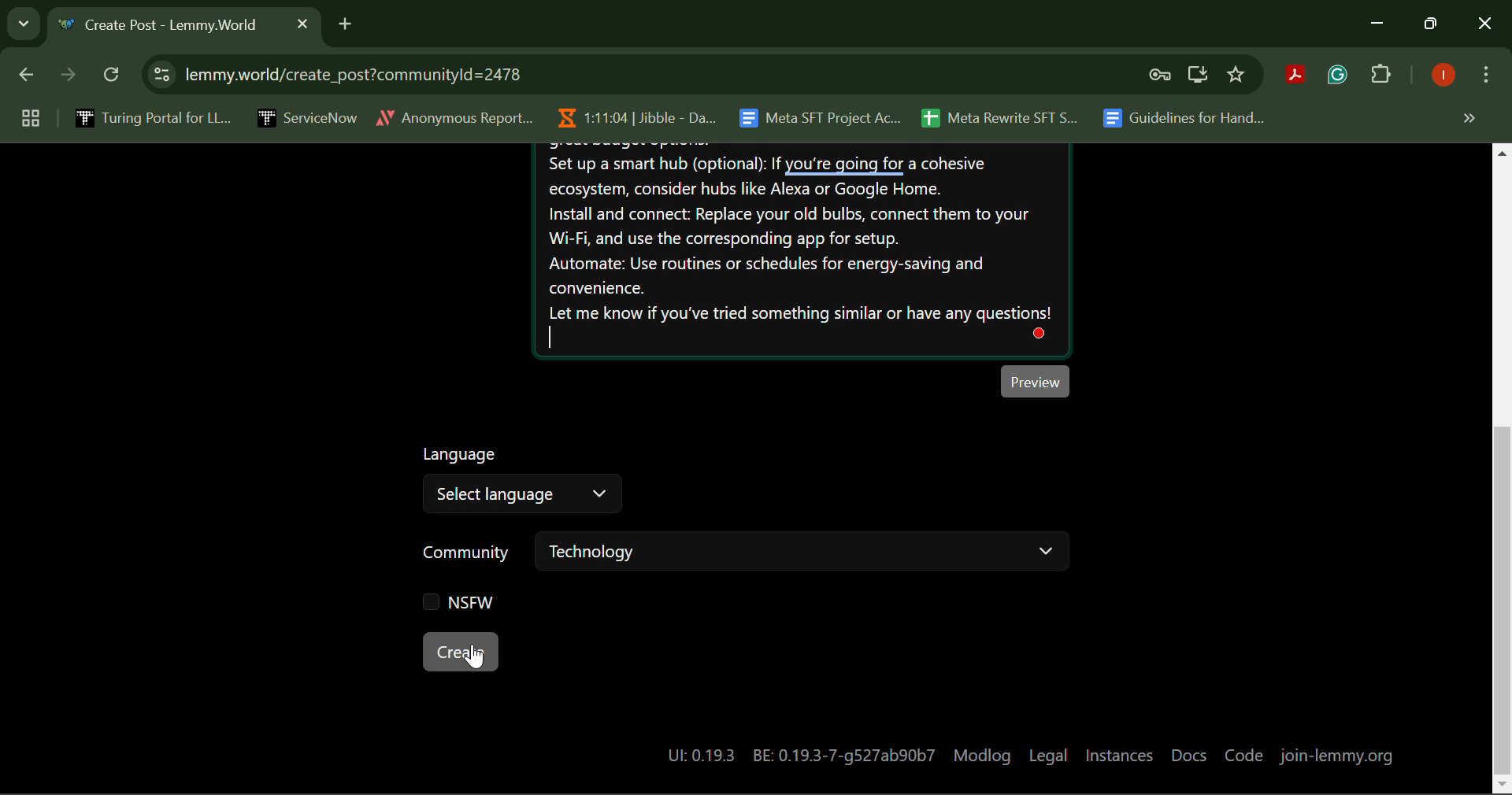 This screenshot has width=1512, height=795. I want to click on Close Window, so click(1485, 25).